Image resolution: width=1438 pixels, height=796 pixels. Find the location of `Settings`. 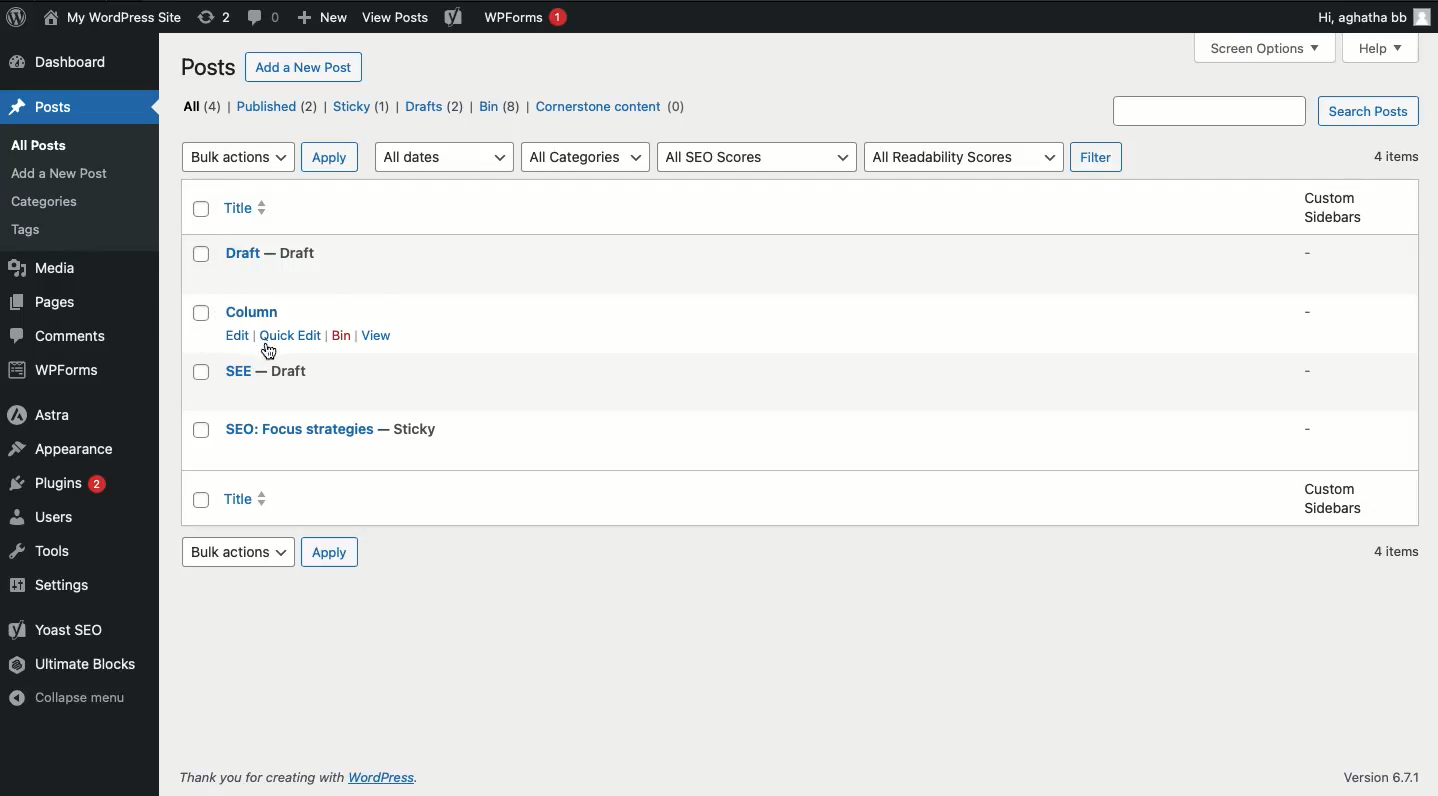

Settings is located at coordinates (57, 586).